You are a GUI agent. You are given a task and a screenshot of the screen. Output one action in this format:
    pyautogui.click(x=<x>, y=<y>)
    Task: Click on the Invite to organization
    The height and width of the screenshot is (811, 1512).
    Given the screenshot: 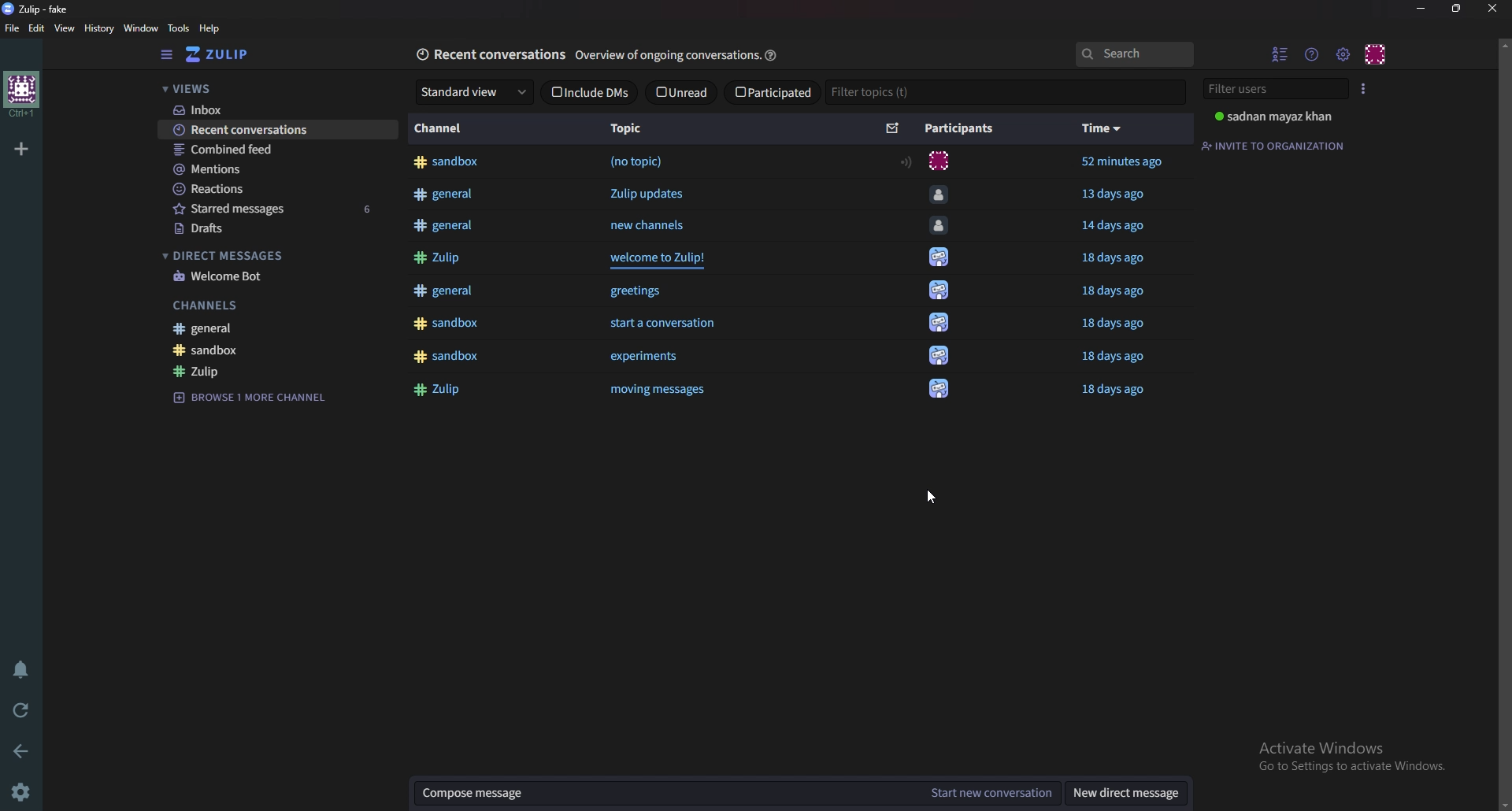 What is the action you would take?
    pyautogui.click(x=1273, y=146)
    